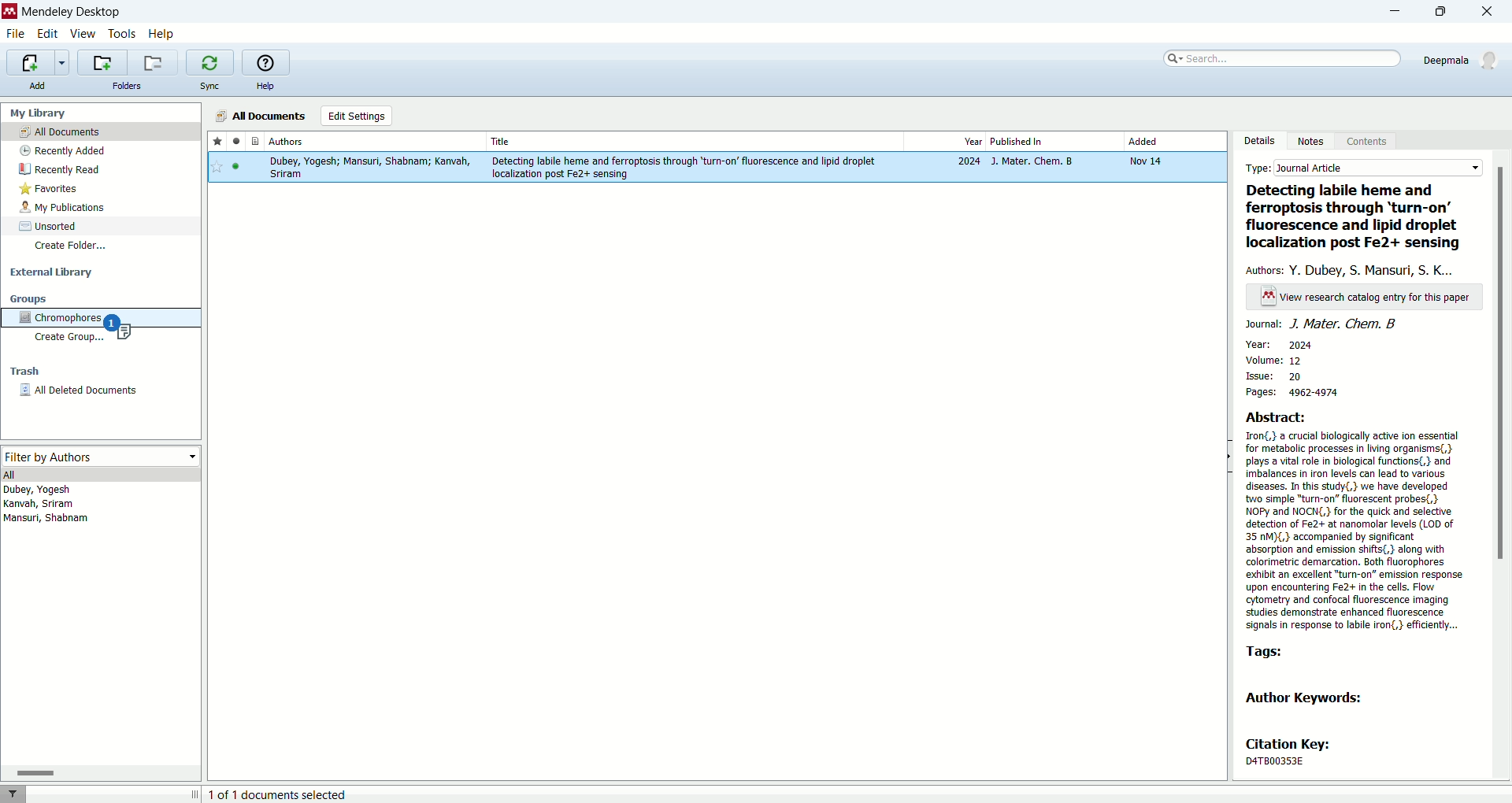  Describe the element at coordinates (64, 150) in the screenshot. I see `recently added` at that location.